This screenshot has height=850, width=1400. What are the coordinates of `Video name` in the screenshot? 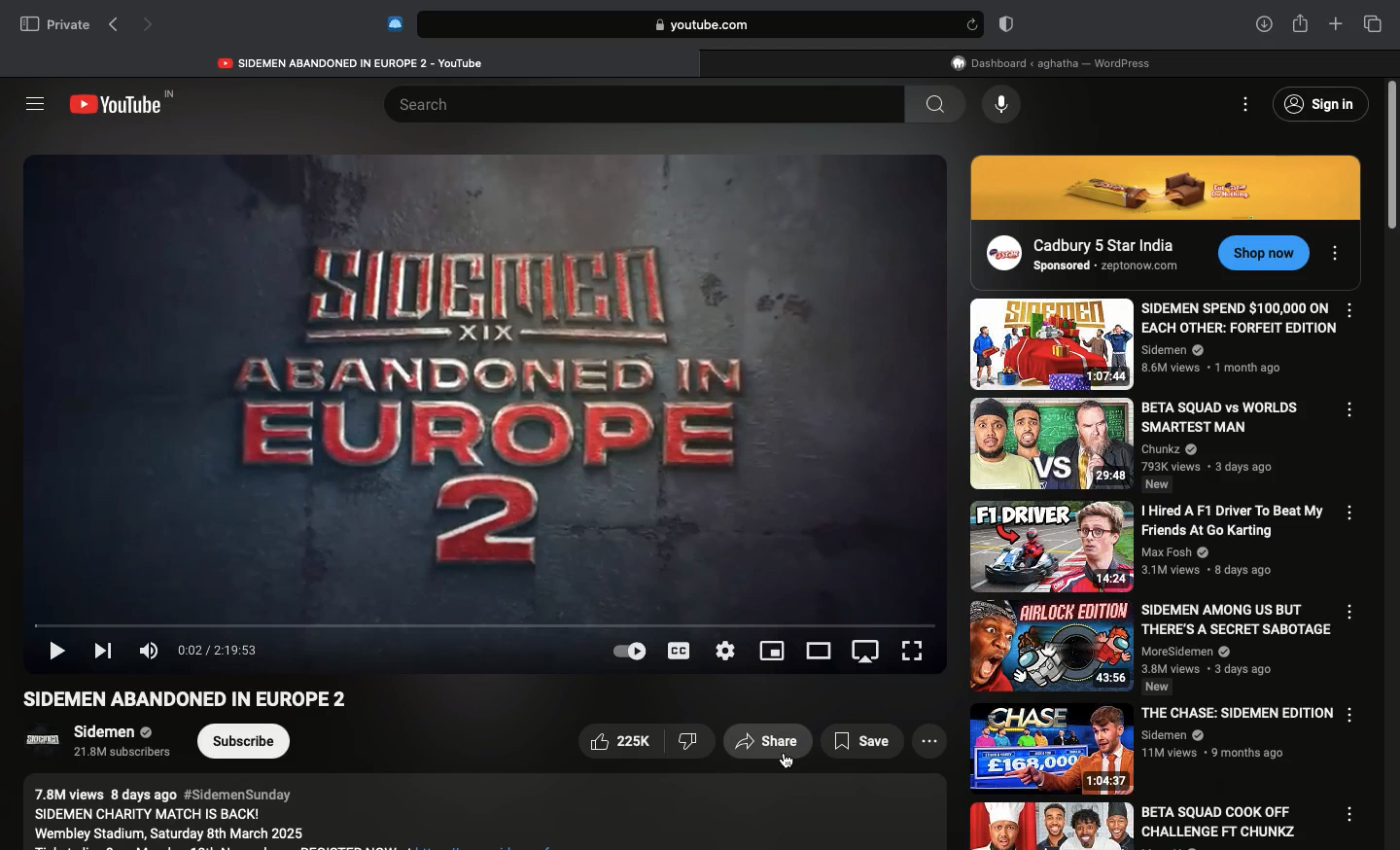 It's located at (1148, 445).